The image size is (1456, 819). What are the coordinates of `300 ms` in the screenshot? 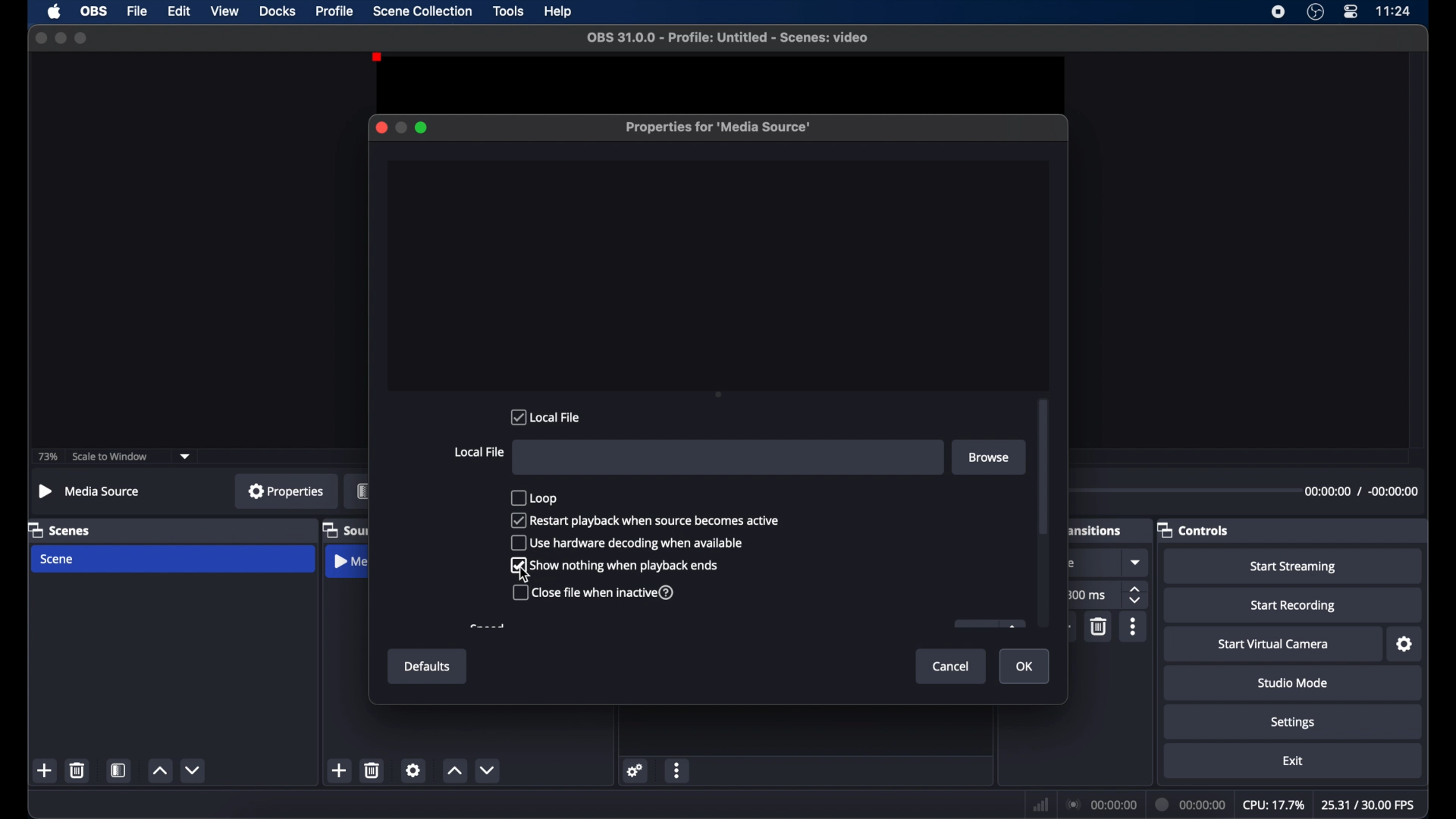 It's located at (1086, 595).